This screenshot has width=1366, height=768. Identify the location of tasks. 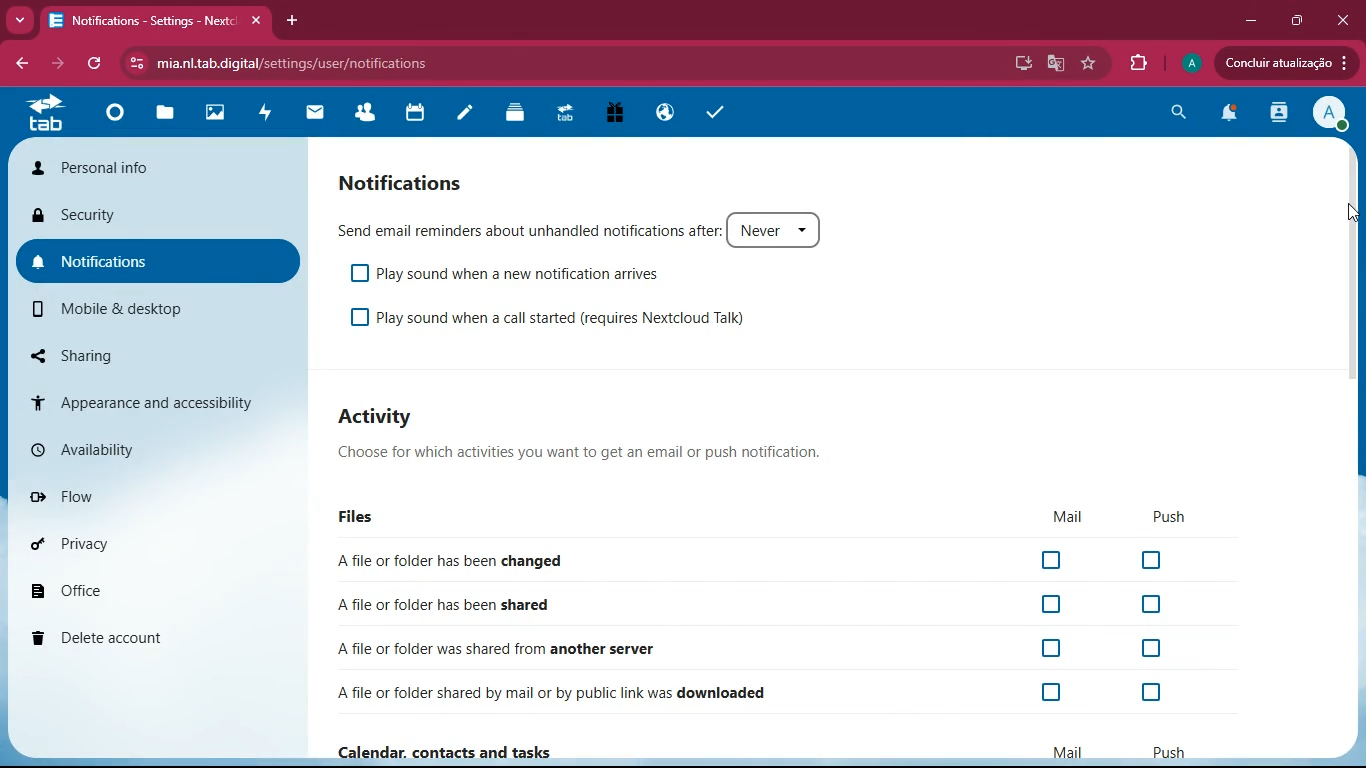
(717, 111).